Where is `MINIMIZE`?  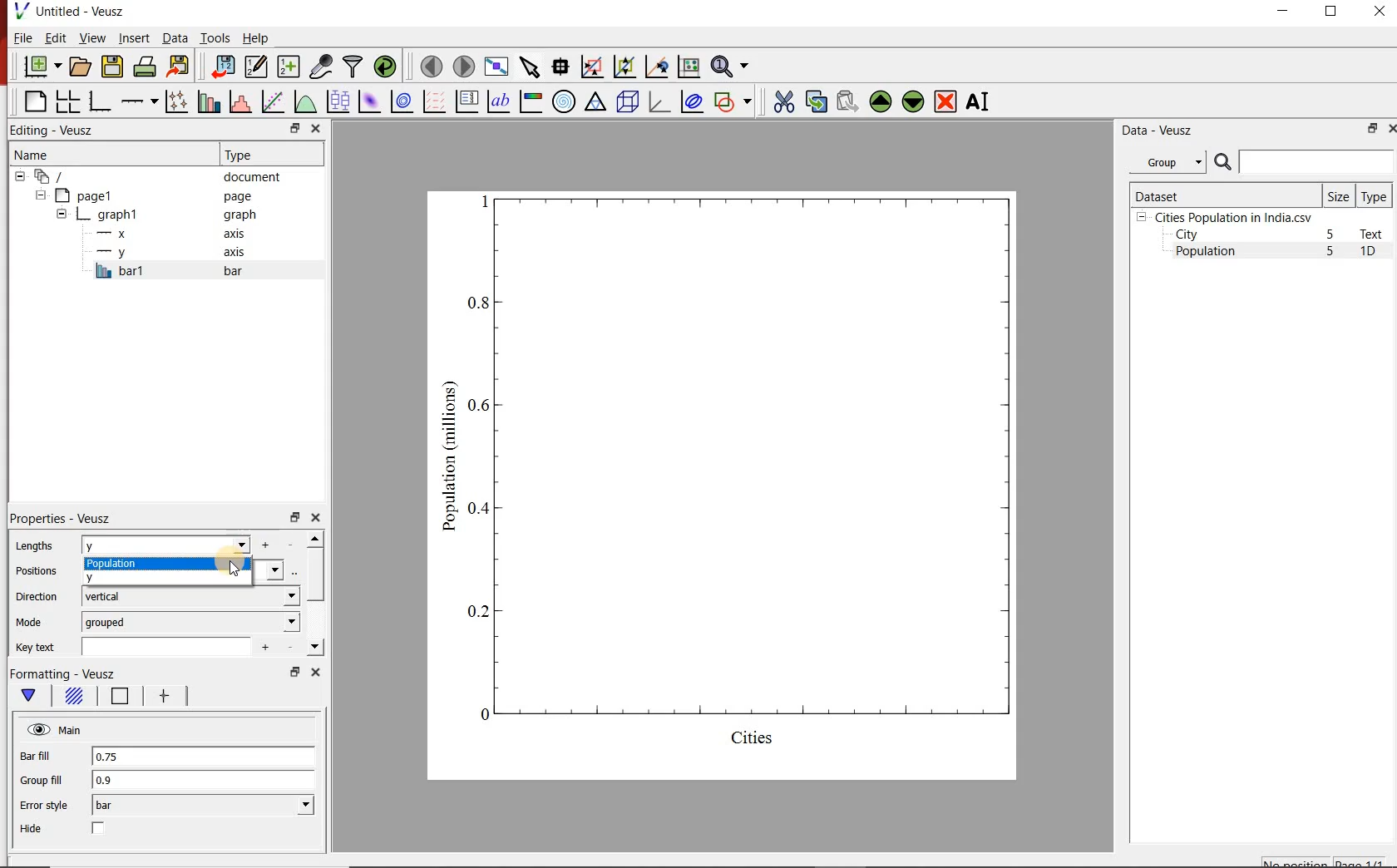 MINIMIZE is located at coordinates (1284, 11).